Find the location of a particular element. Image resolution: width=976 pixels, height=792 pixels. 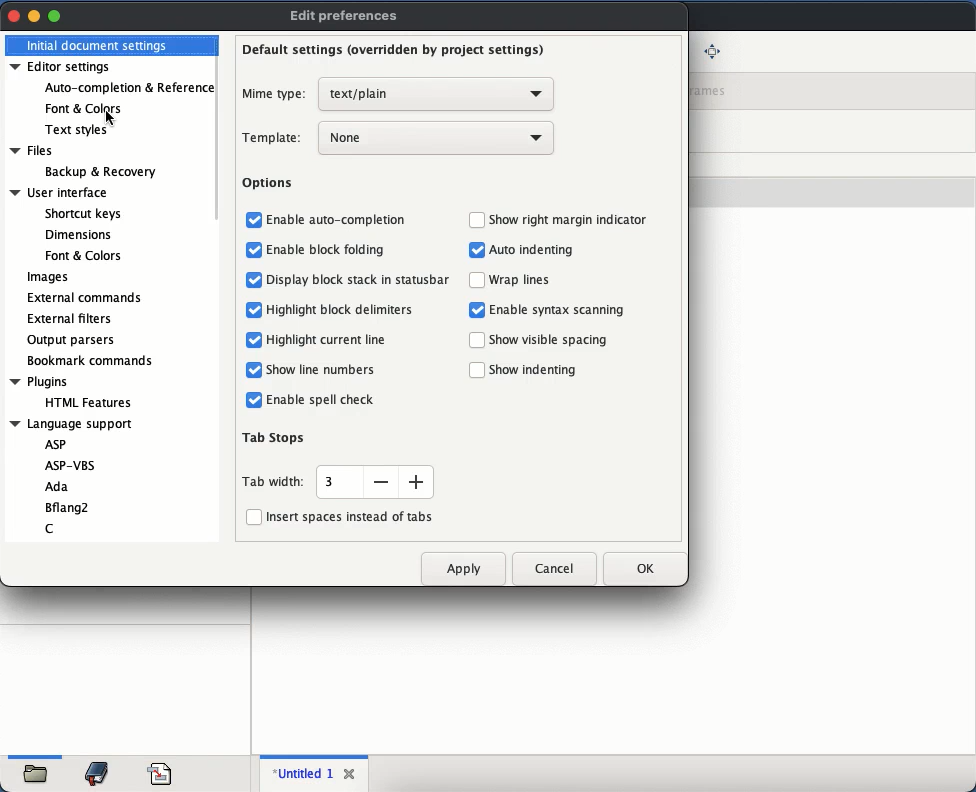

text styles is located at coordinates (79, 129).